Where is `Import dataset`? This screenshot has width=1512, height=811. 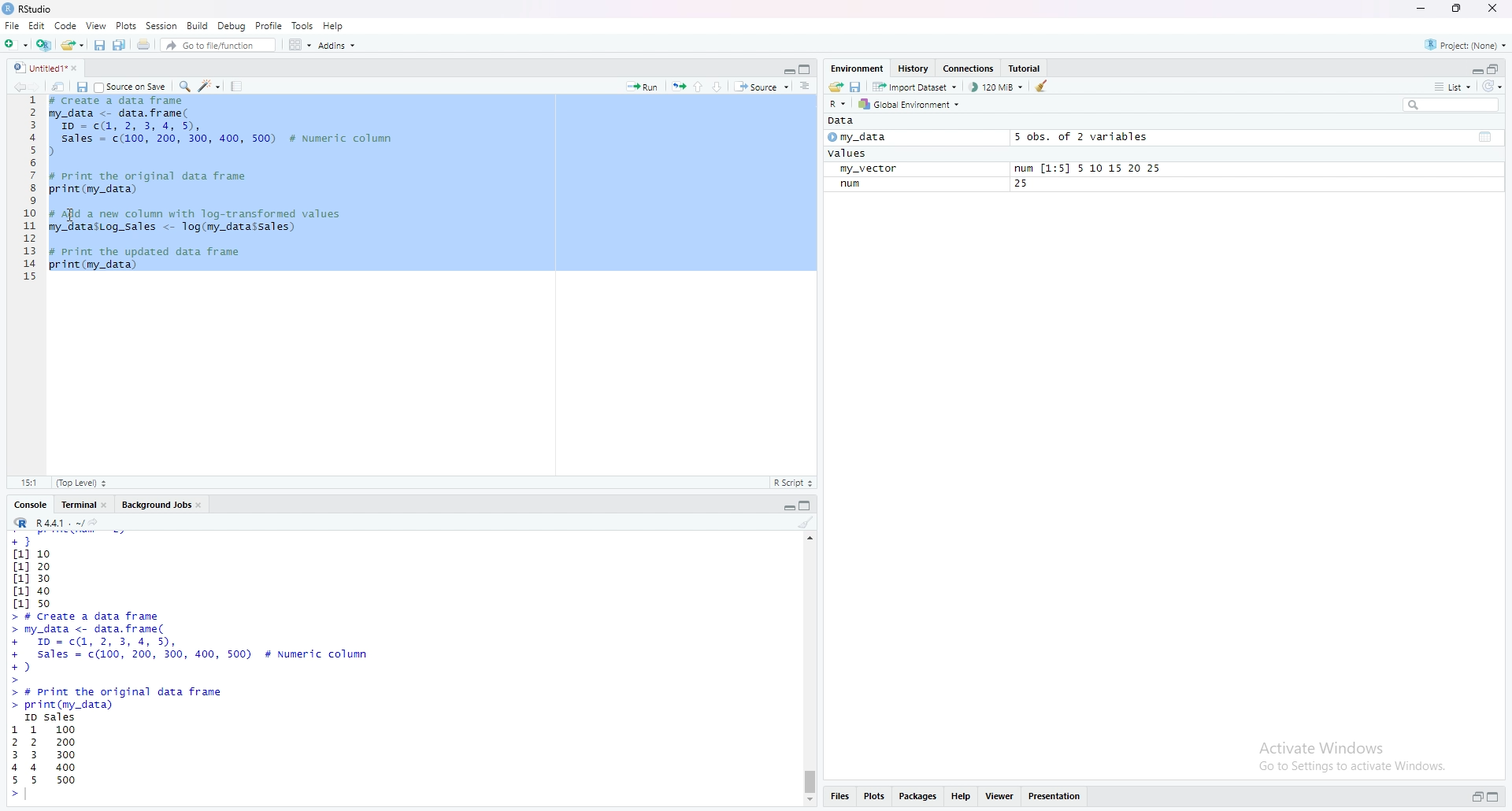 Import dataset is located at coordinates (918, 87).